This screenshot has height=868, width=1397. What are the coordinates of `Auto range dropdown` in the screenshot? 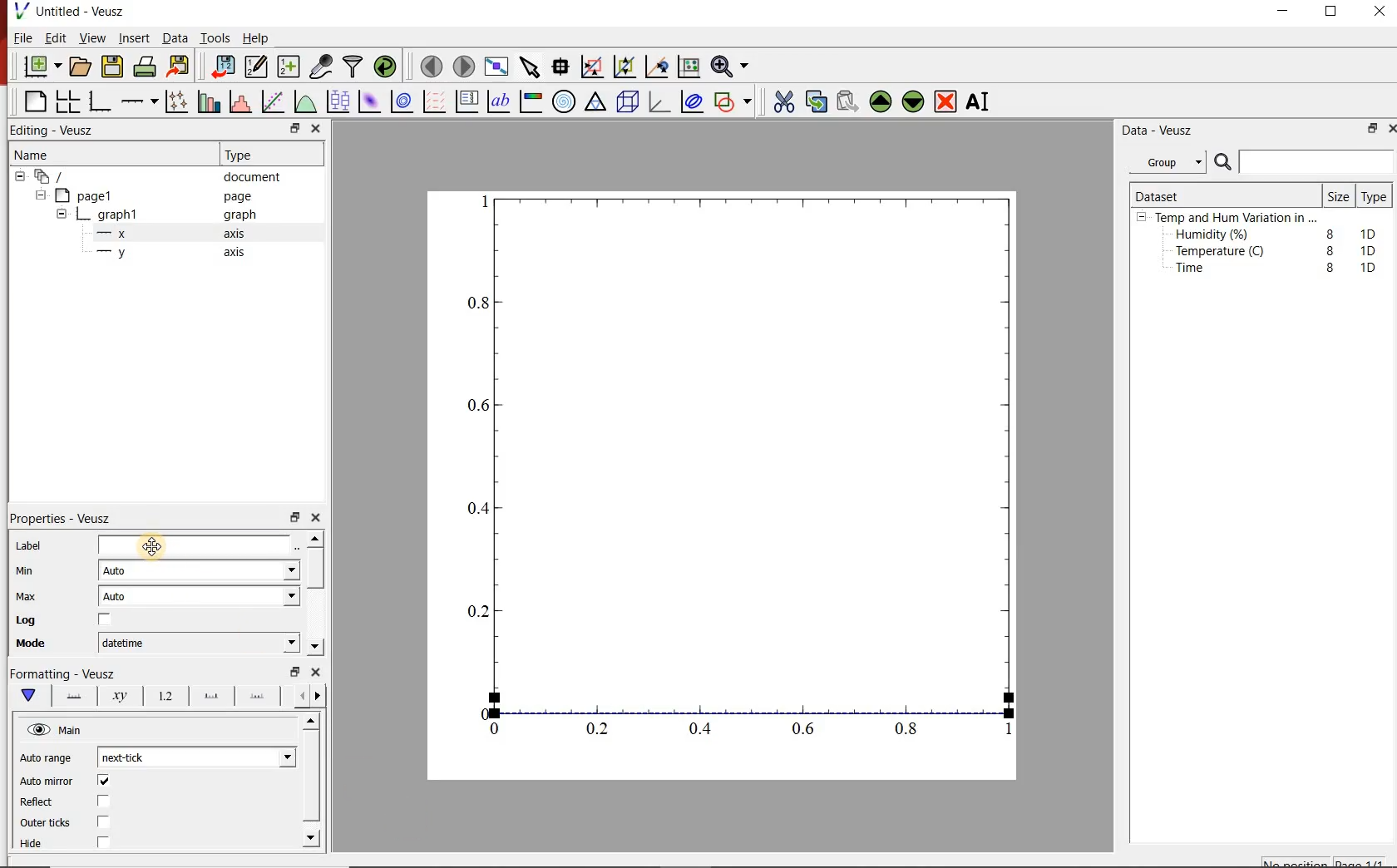 It's located at (262, 755).